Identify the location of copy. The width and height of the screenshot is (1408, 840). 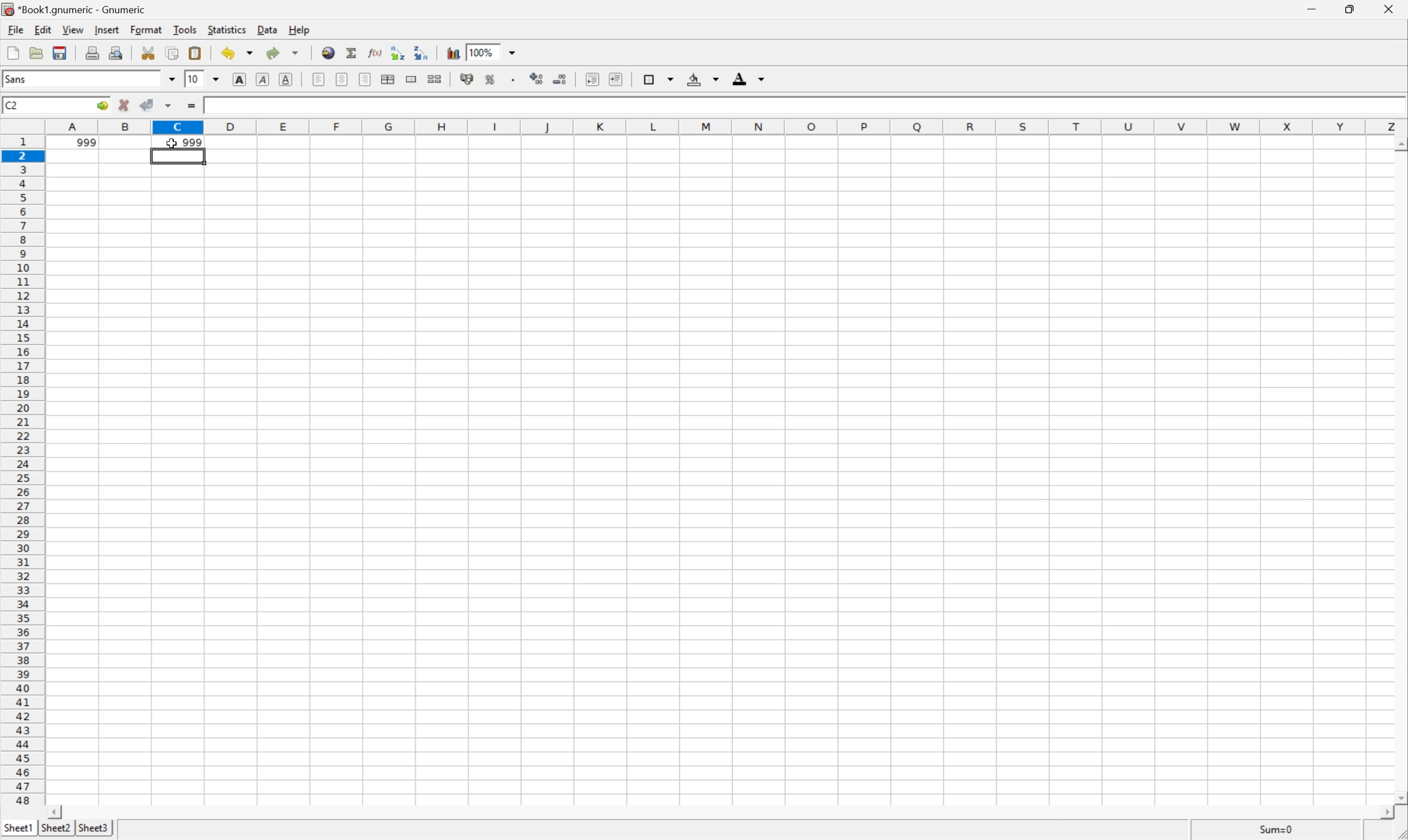
(173, 51).